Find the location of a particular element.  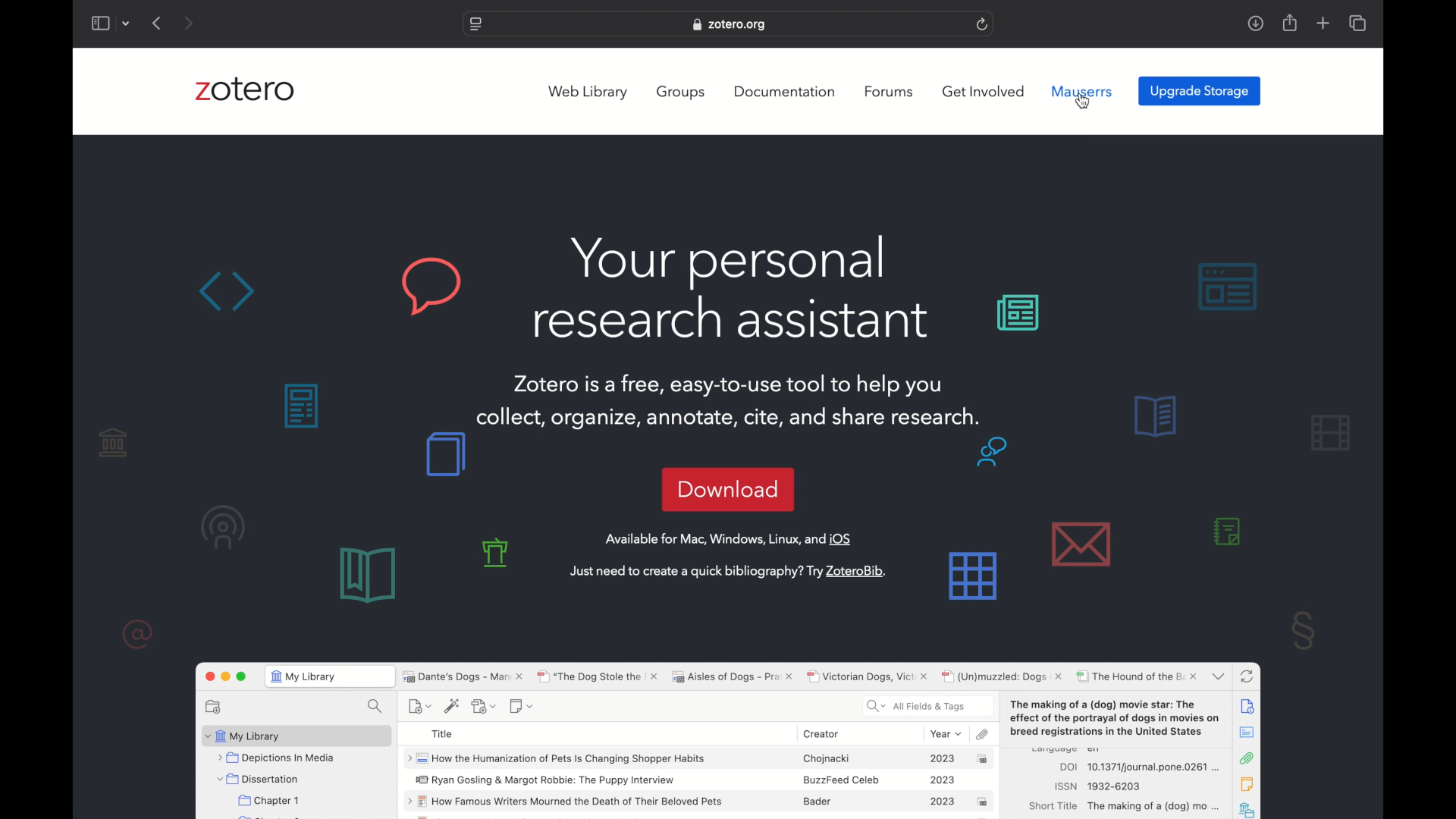

background graphics is located at coordinates (1255, 521).